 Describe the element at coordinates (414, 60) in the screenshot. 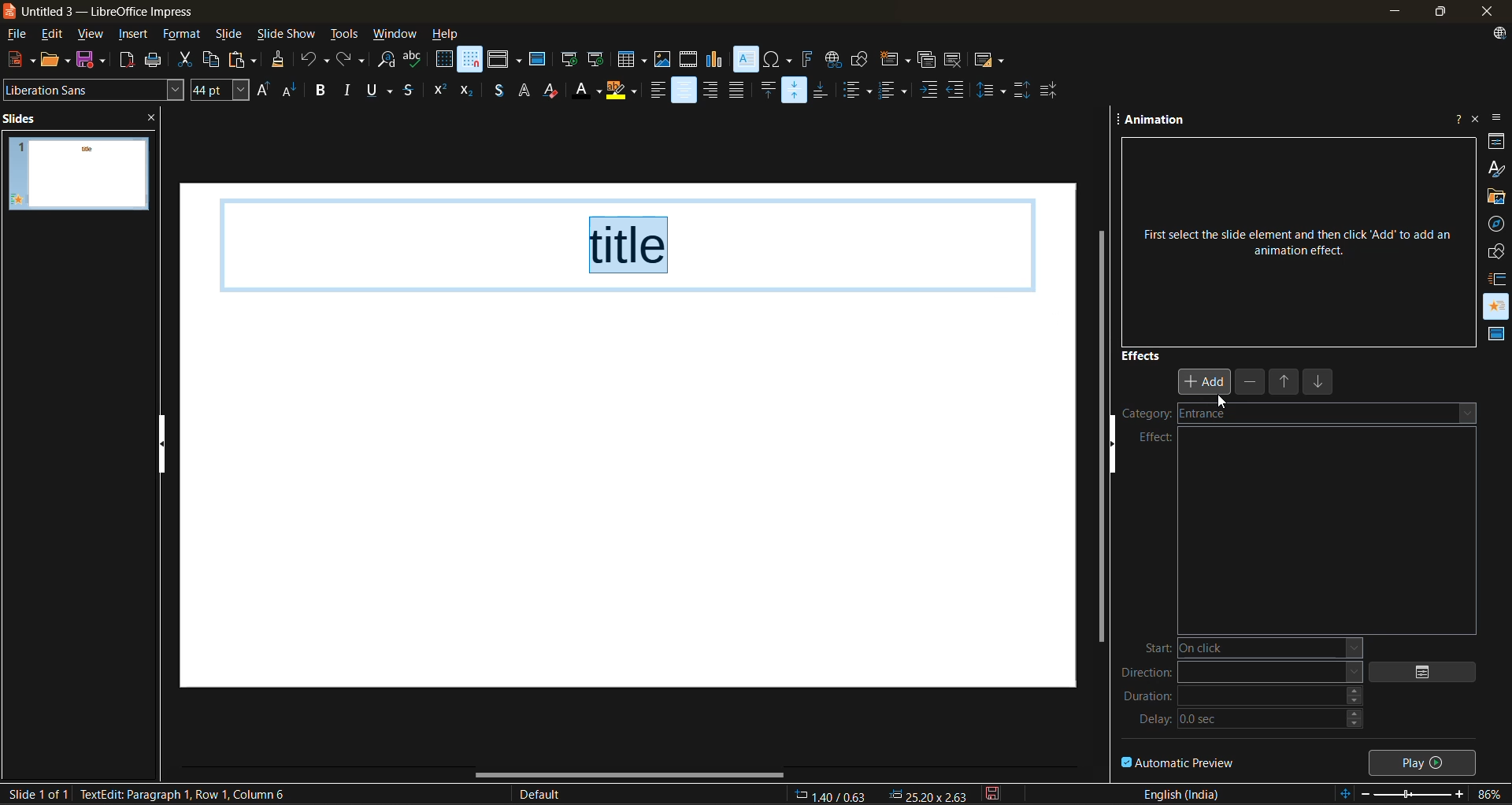

I see `spelling` at that location.